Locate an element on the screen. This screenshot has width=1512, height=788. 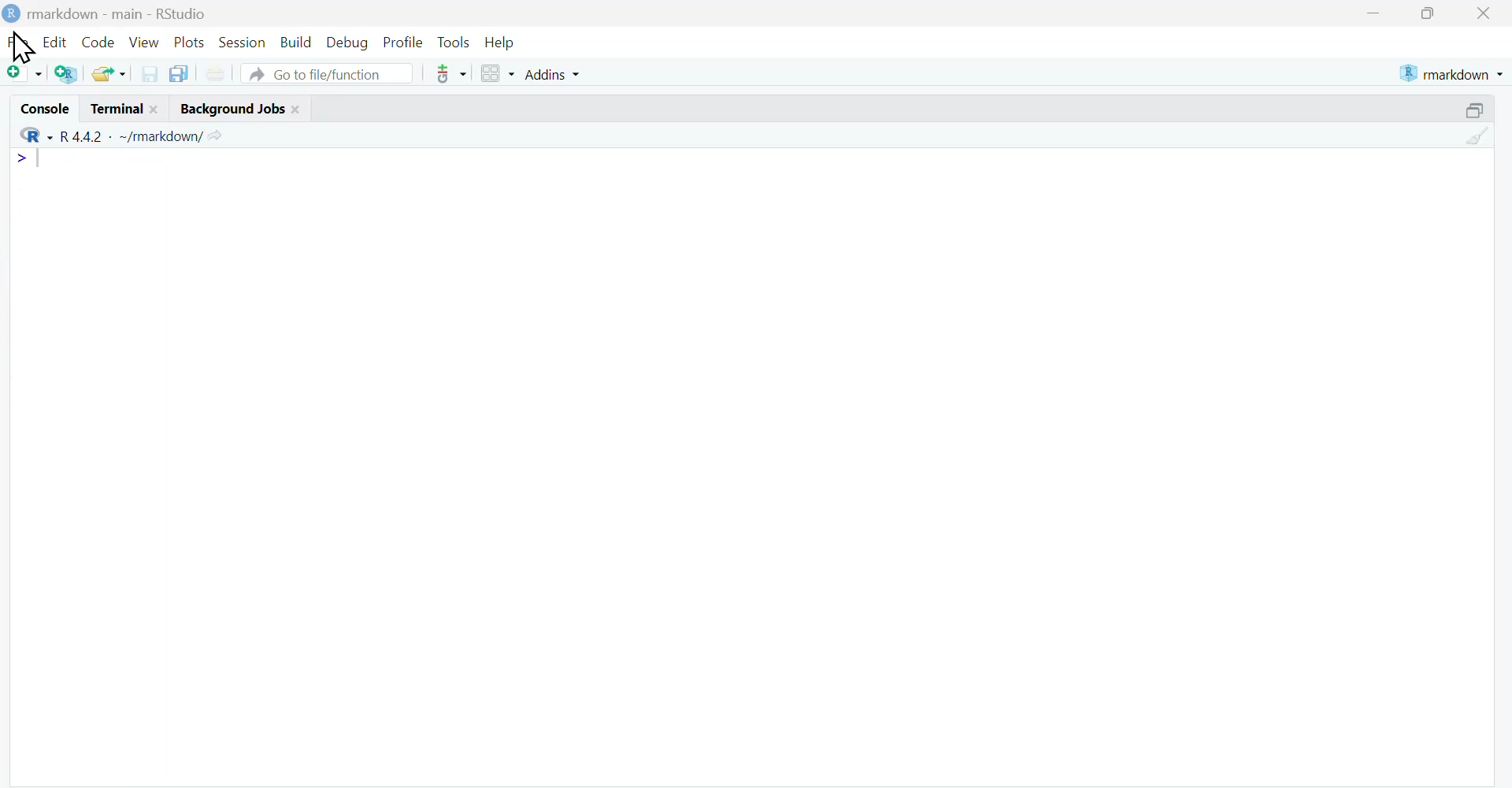
workspace panes is located at coordinates (496, 73).